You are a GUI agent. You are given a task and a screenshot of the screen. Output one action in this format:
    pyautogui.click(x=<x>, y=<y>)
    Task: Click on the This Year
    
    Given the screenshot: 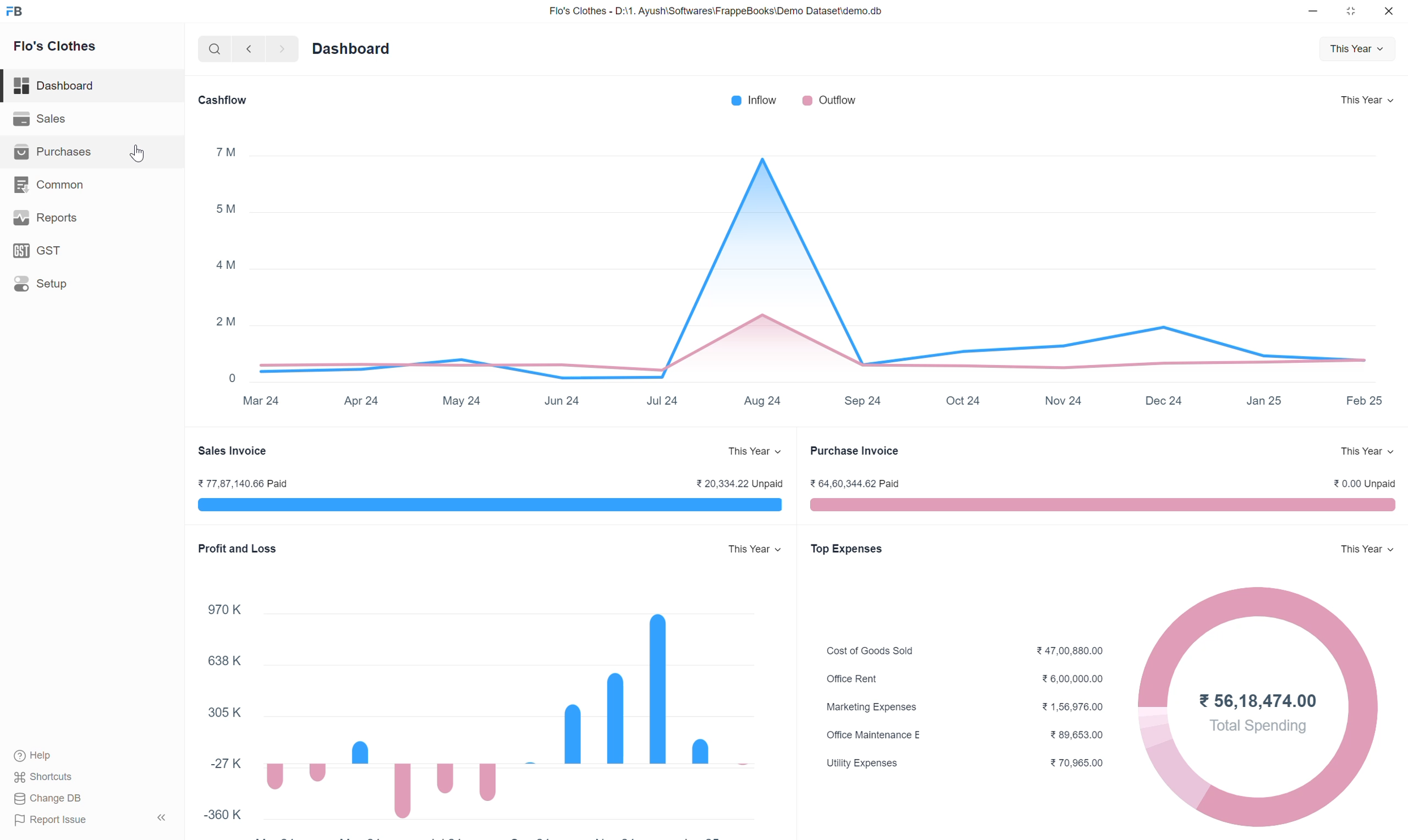 What is the action you would take?
    pyautogui.click(x=1368, y=99)
    